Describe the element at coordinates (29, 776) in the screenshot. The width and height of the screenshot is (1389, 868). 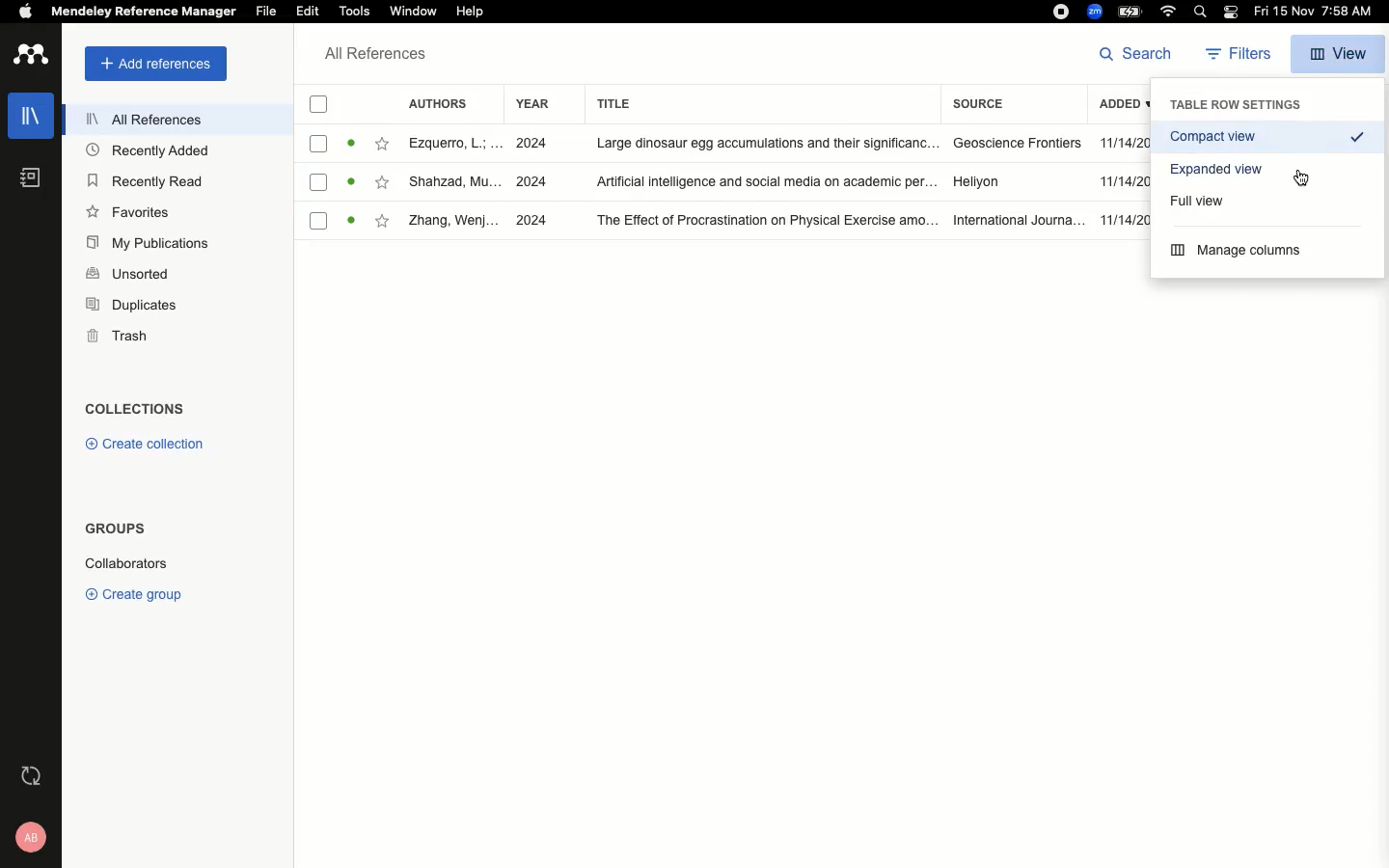
I see `Last sync` at that location.